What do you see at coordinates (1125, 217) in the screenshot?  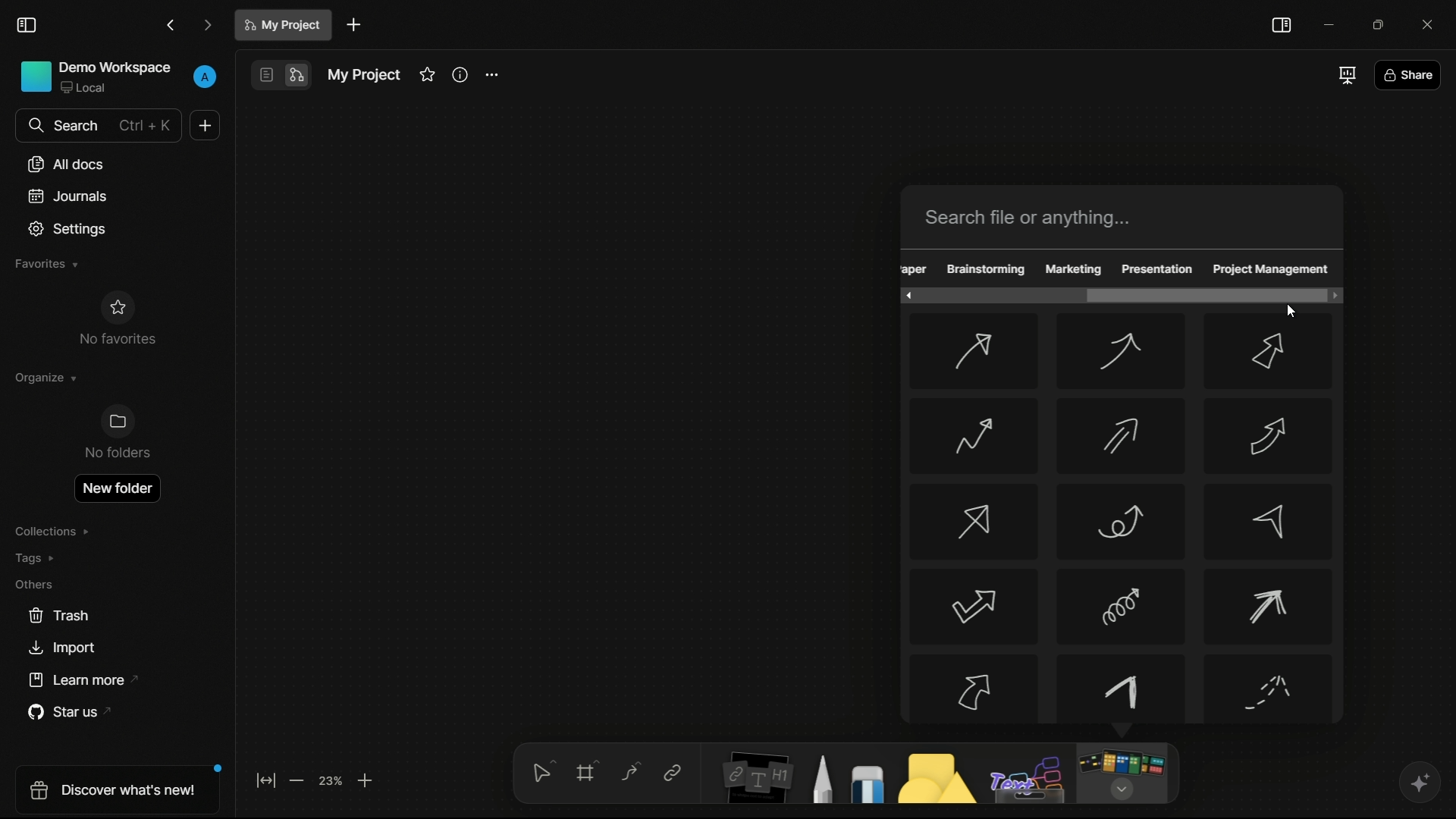 I see `search bar` at bounding box center [1125, 217].